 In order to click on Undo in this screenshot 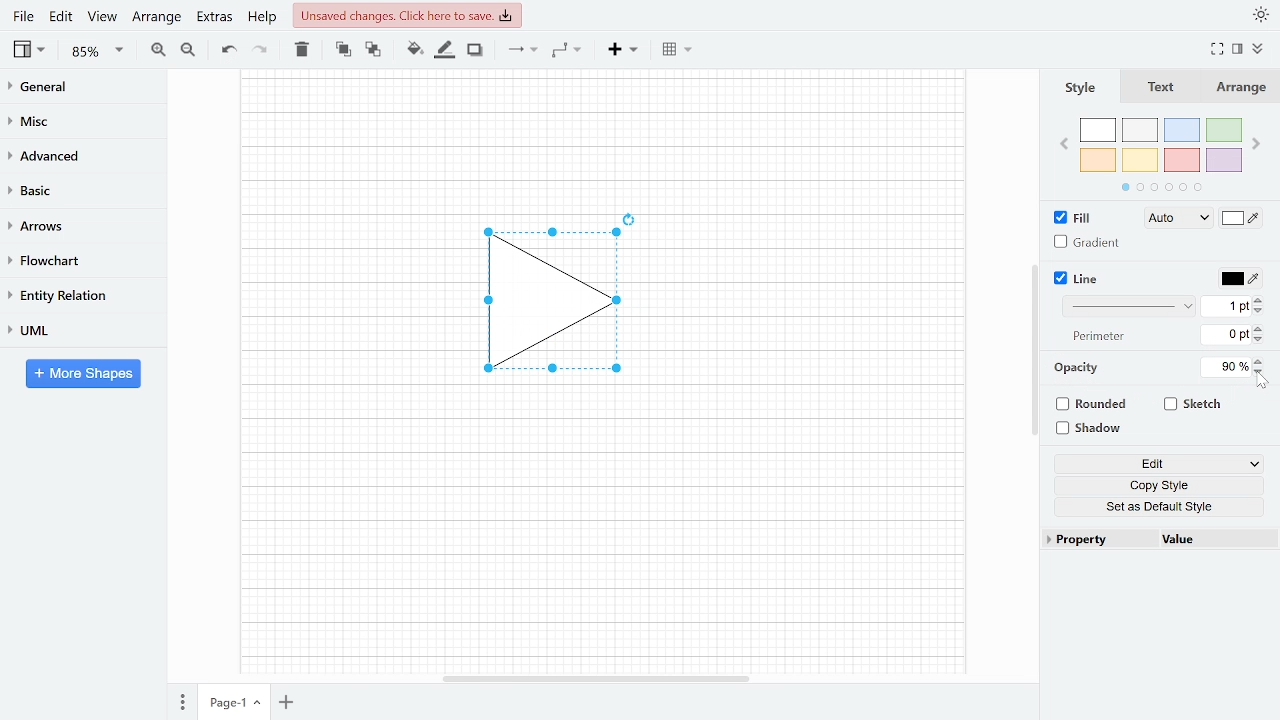, I will do `click(228, 50)`.